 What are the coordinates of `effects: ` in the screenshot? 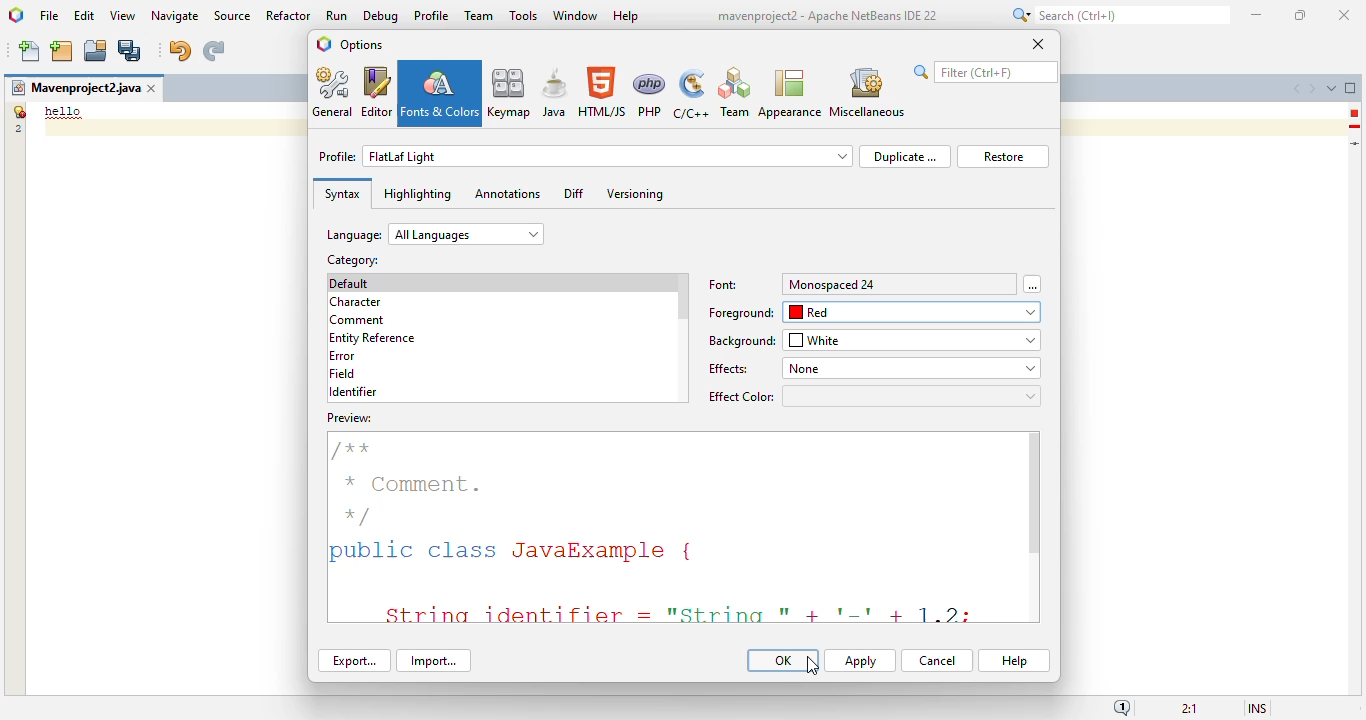 It's located at (730, 369).